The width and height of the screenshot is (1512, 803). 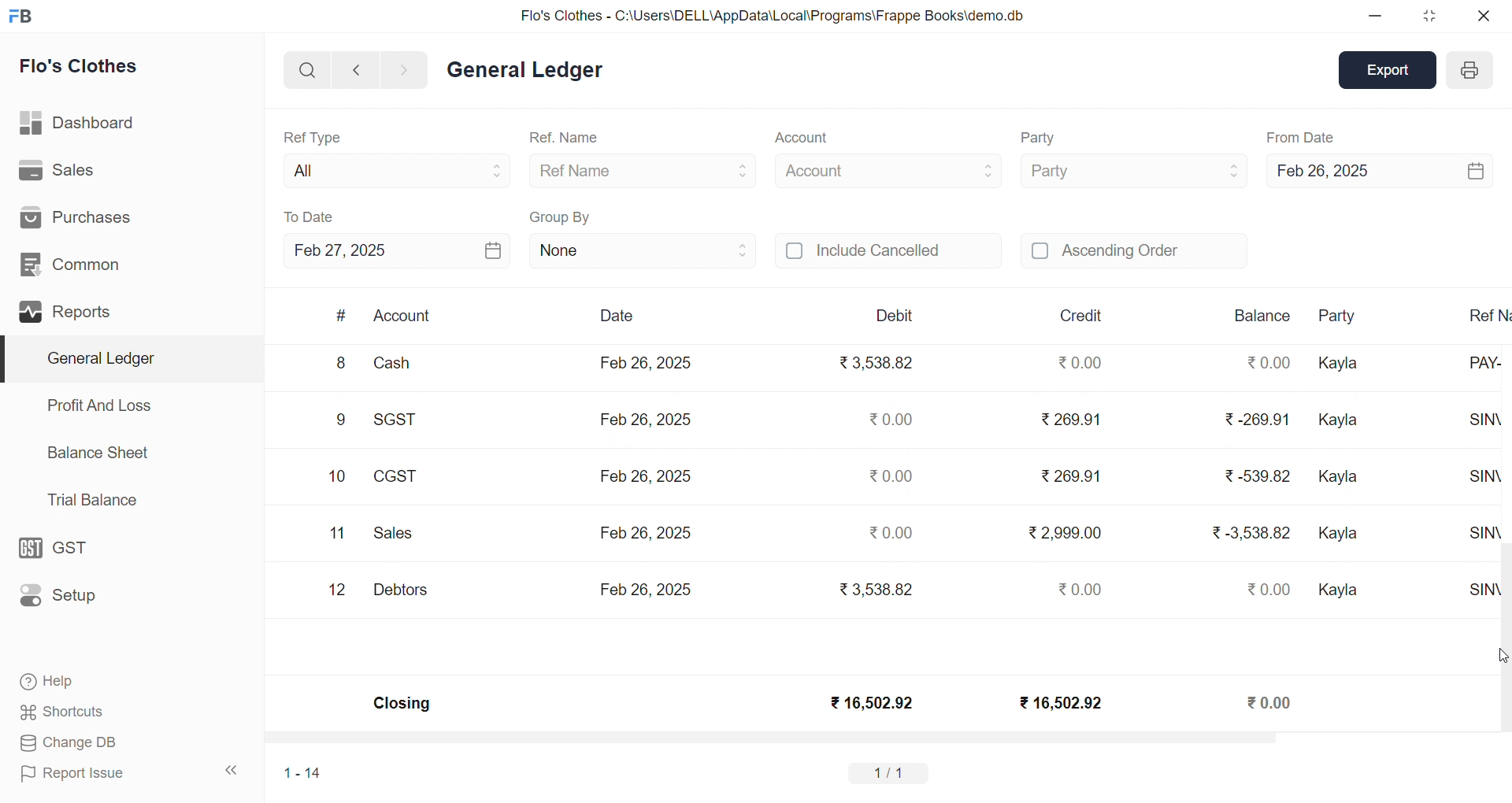 I want to click on NAVIGATE FORWARD, so click(x=410, y=68).